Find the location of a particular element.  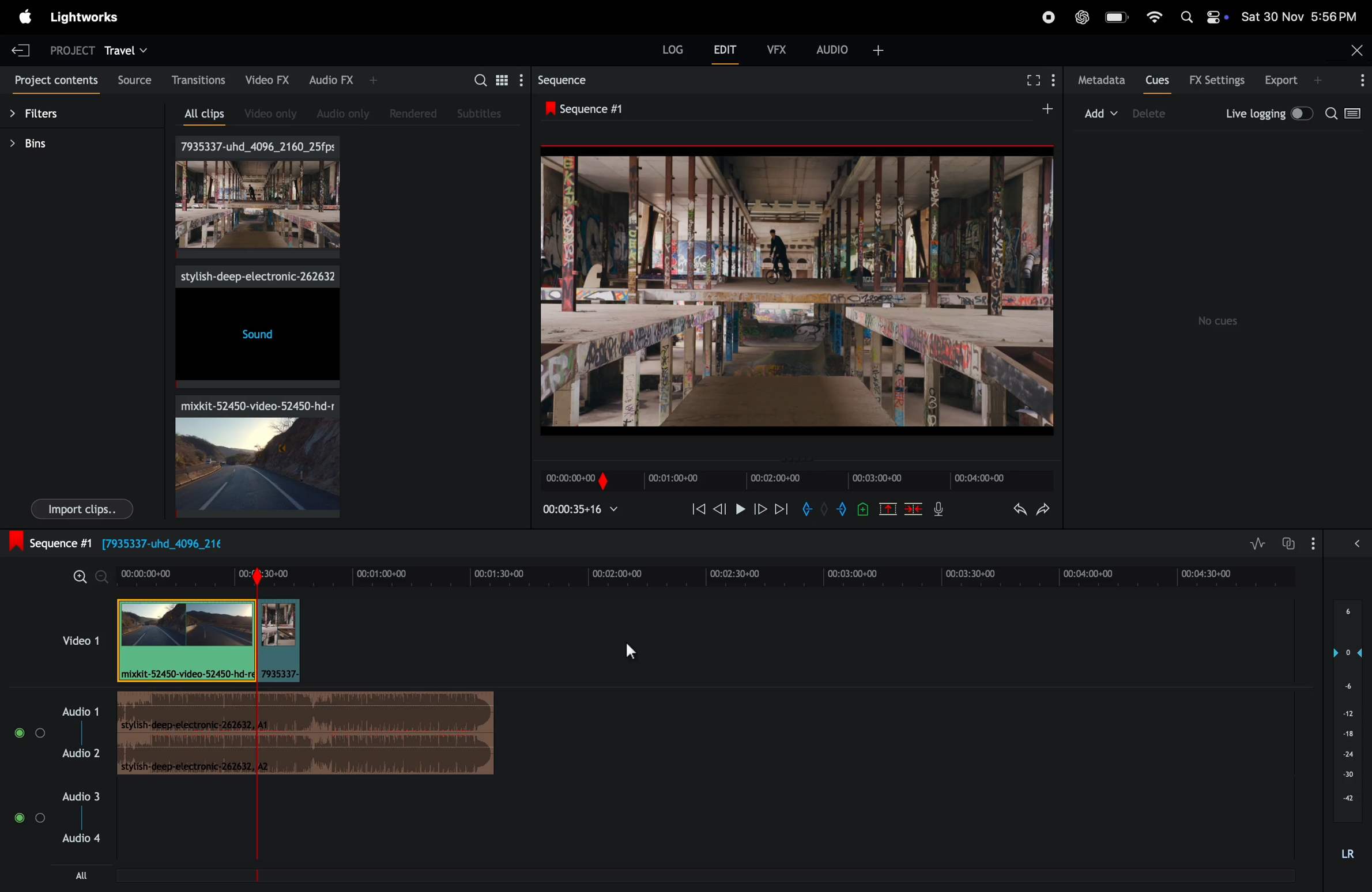

video clips is located at coordinates (259, 198).